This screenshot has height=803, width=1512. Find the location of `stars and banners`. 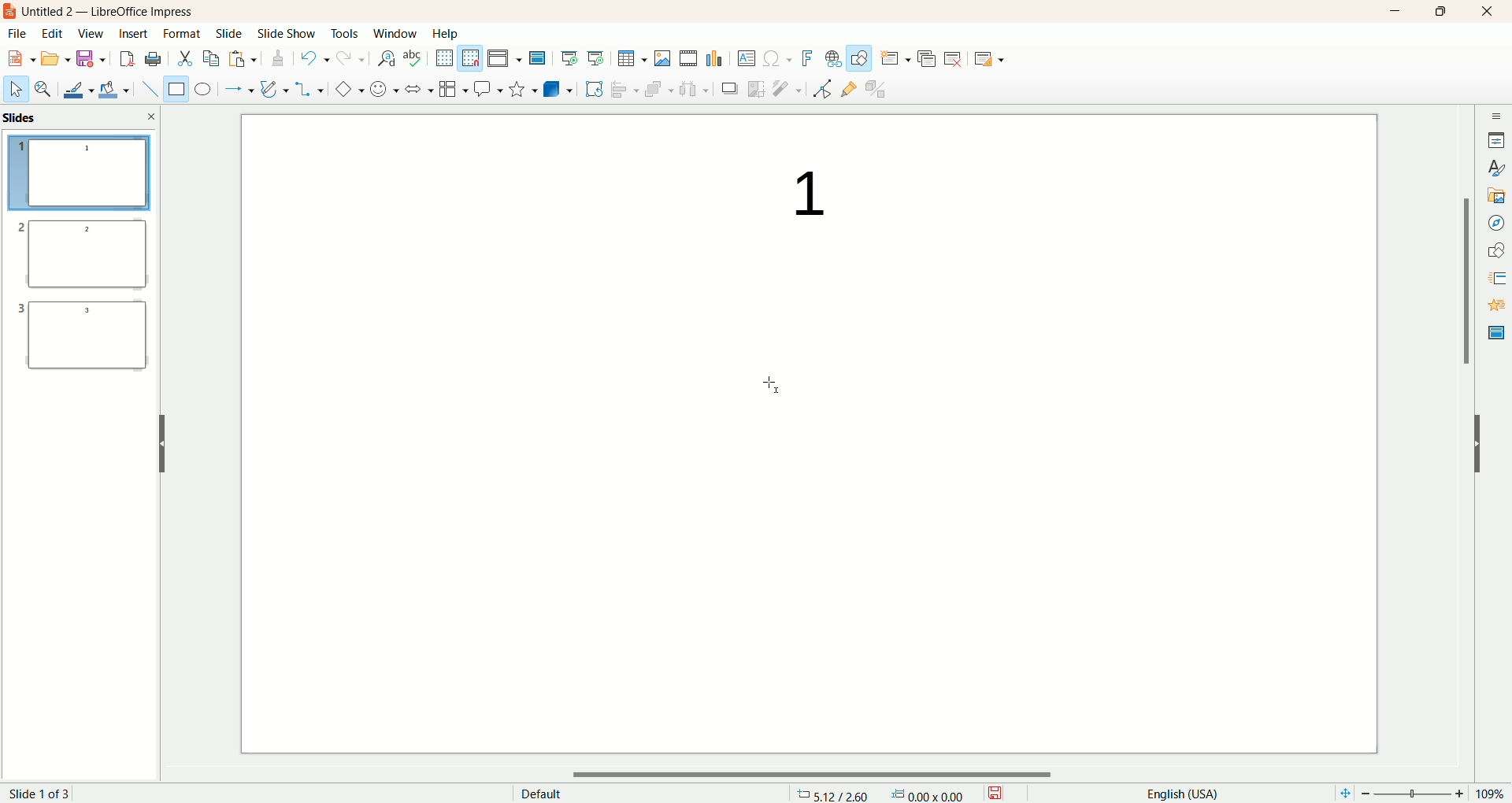

stars and banners is located at coordinates (521, 88).